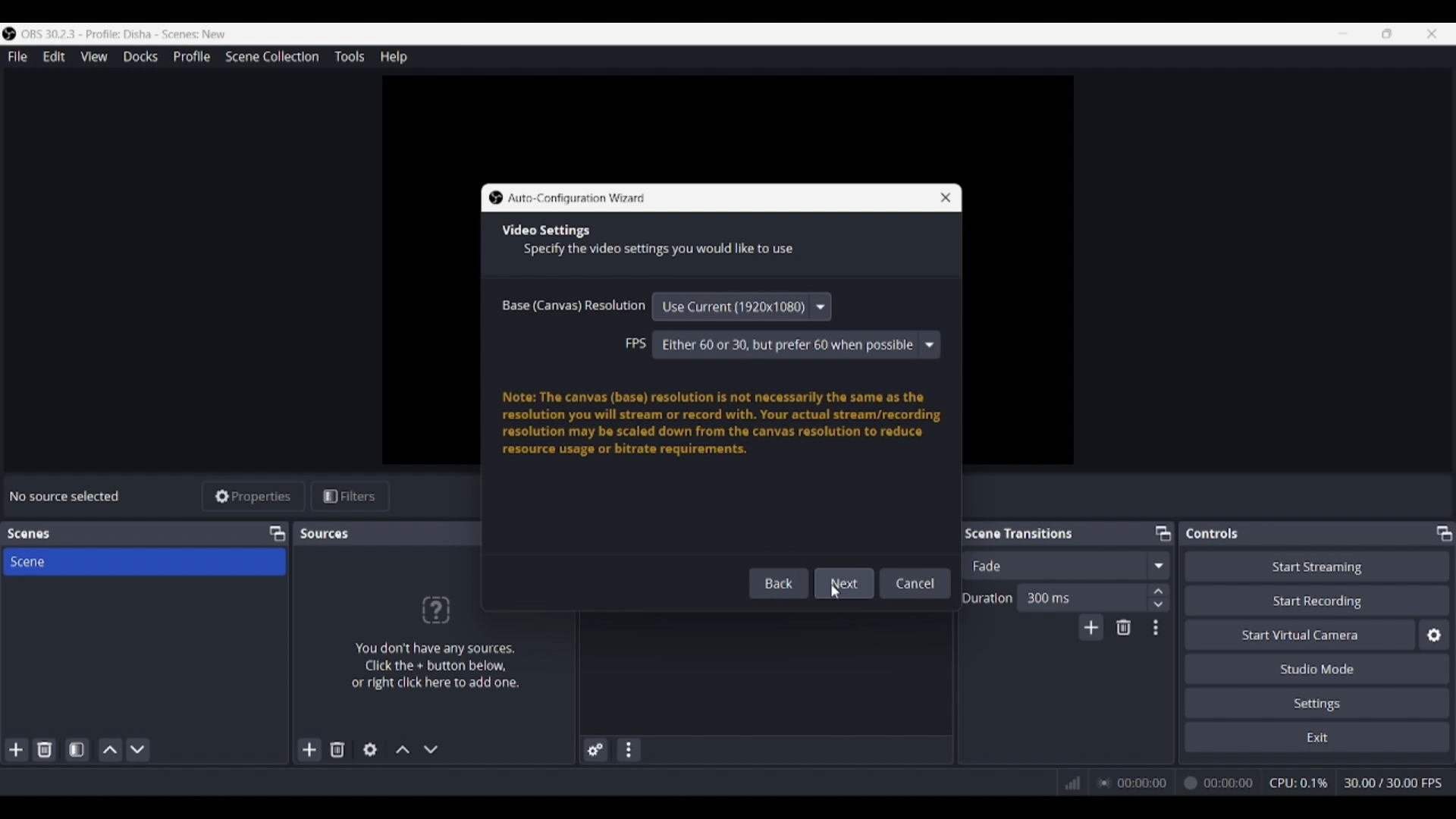 Image resolution: width=1456 pixels, height=819 pixels. Describe the element at coordinates (1318, 702) in the screenshot. I see `Settings` at that location.